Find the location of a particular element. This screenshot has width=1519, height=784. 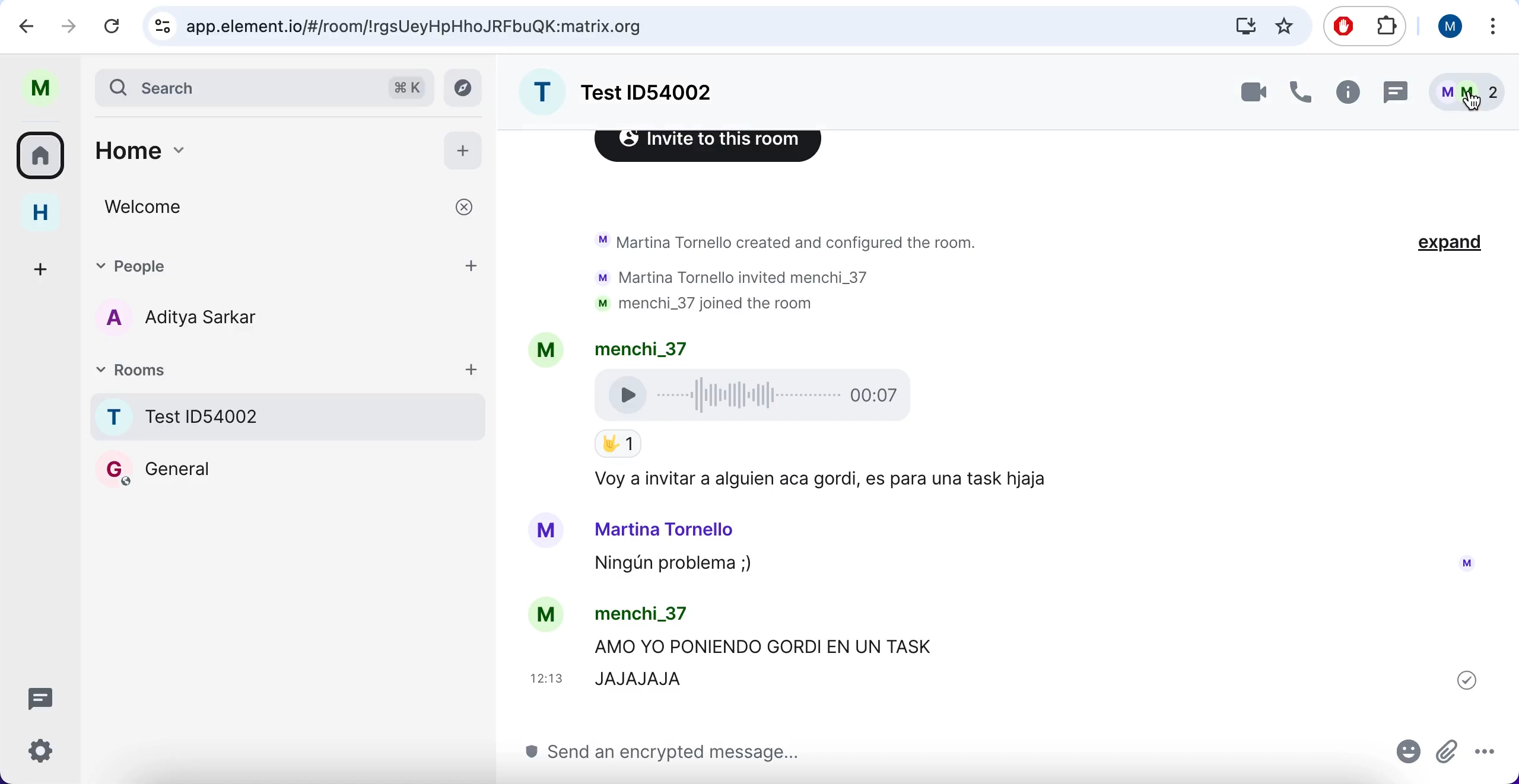

chat is located at coordinates (1399, 91).